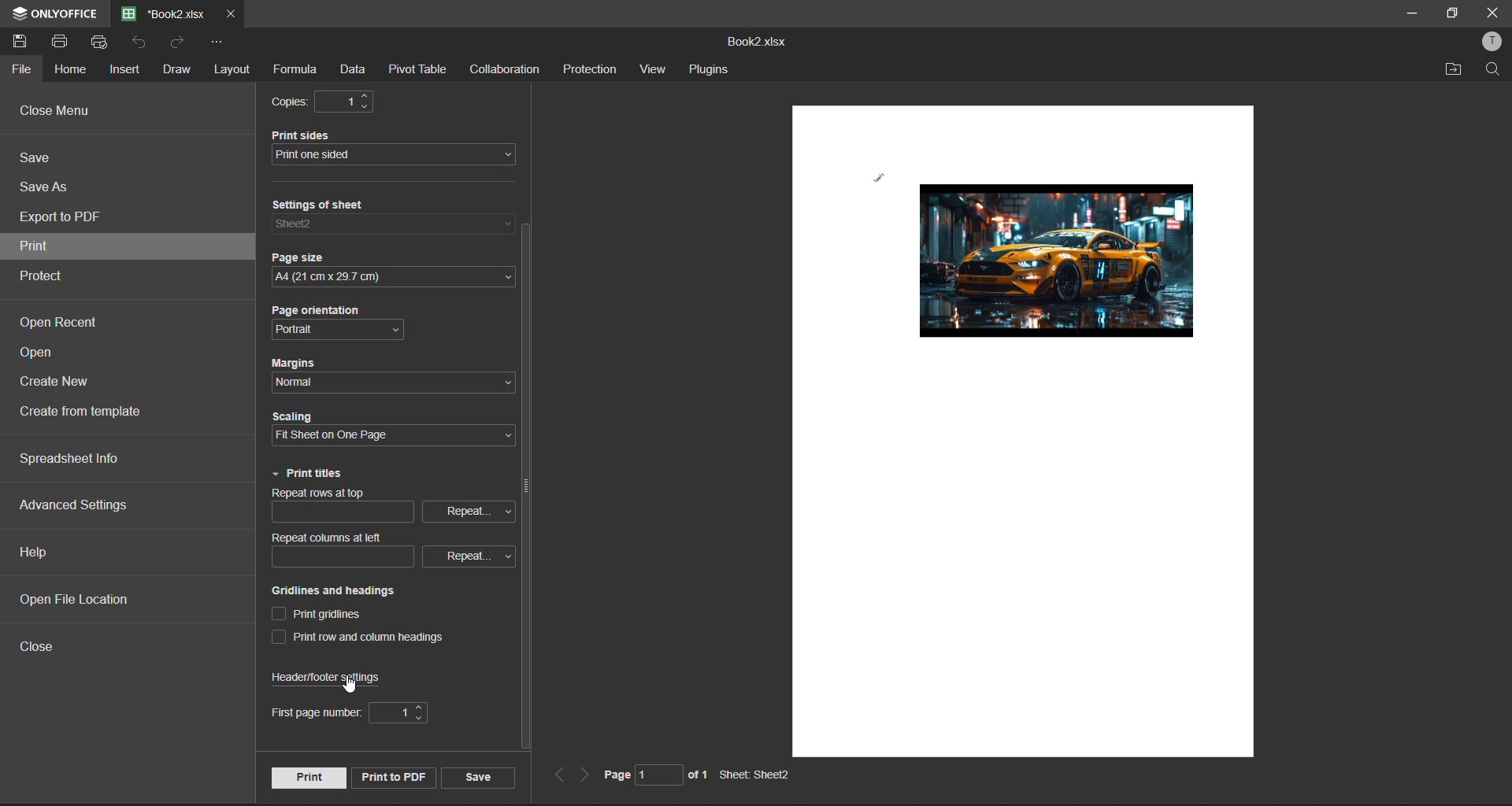  I want to click on page orientation, so click(344, 322).